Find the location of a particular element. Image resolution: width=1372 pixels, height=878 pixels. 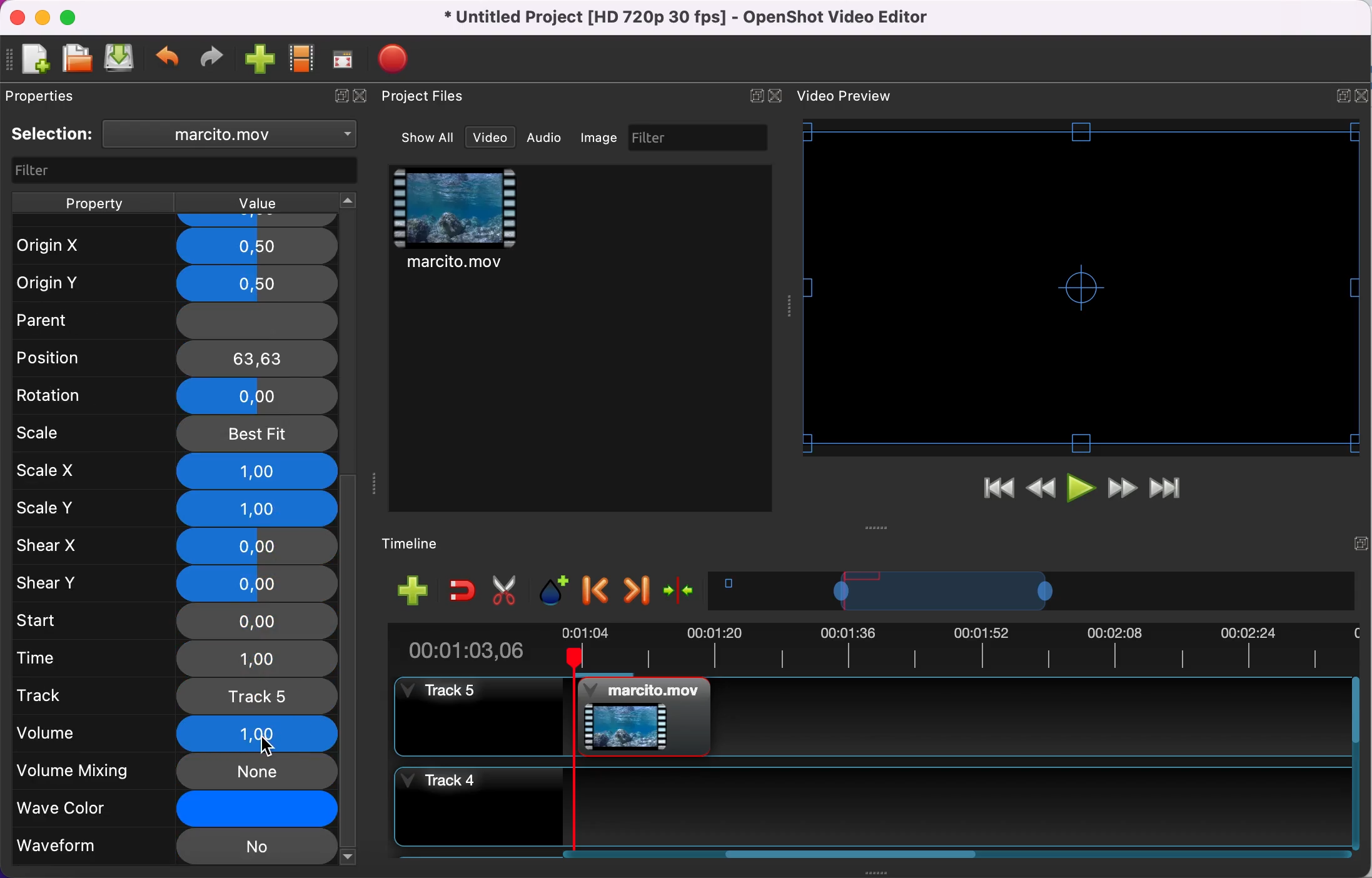

Expand/Collapse is located at coordinates (1343, 96).